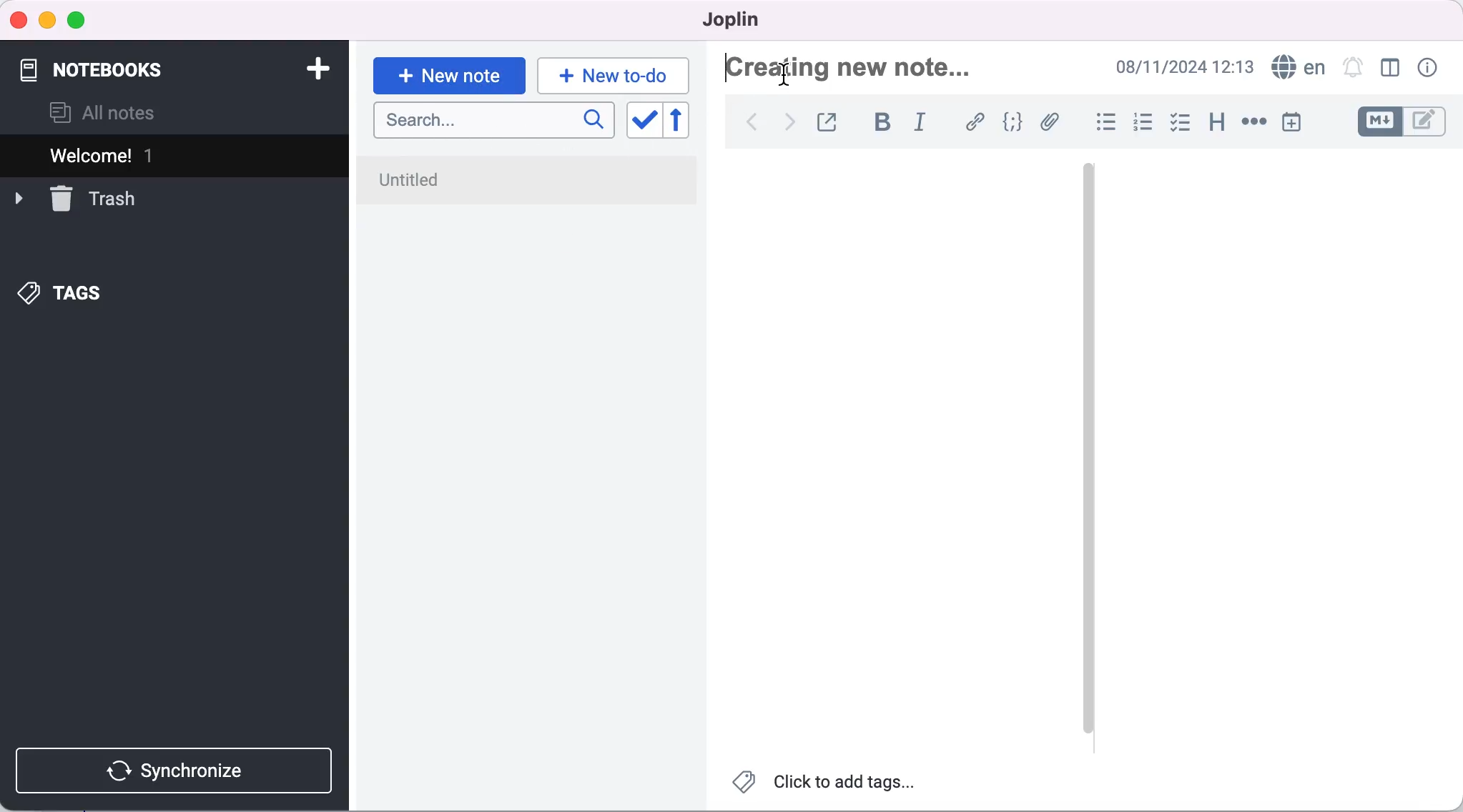 The image size is (1463, 812). Describe the element at coordinates (1404, 122) in the screenshot. I see `toggle editors` at that location.